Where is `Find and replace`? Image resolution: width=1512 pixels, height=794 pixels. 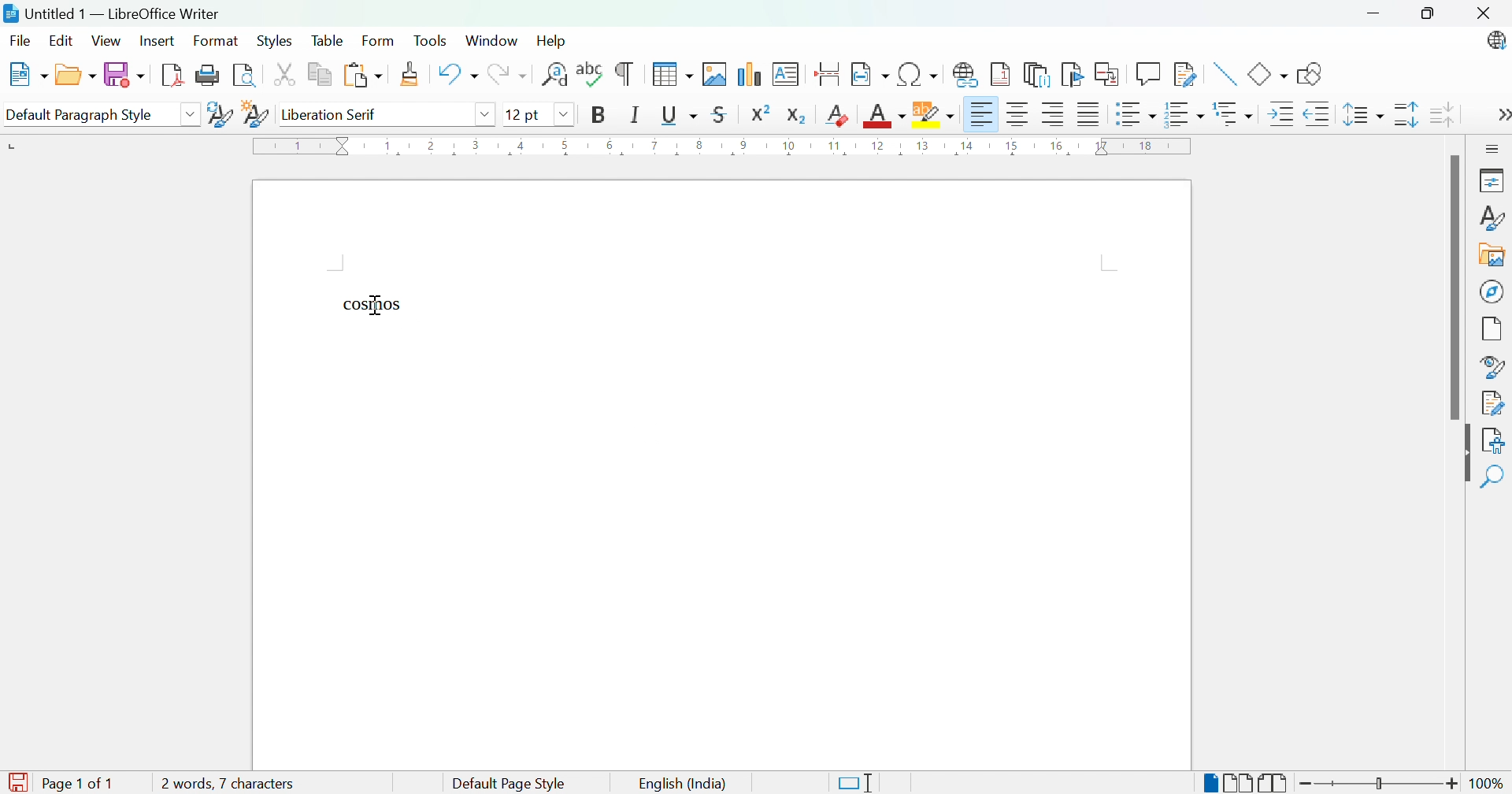 Find and replace is located at coordinates (555, 76).